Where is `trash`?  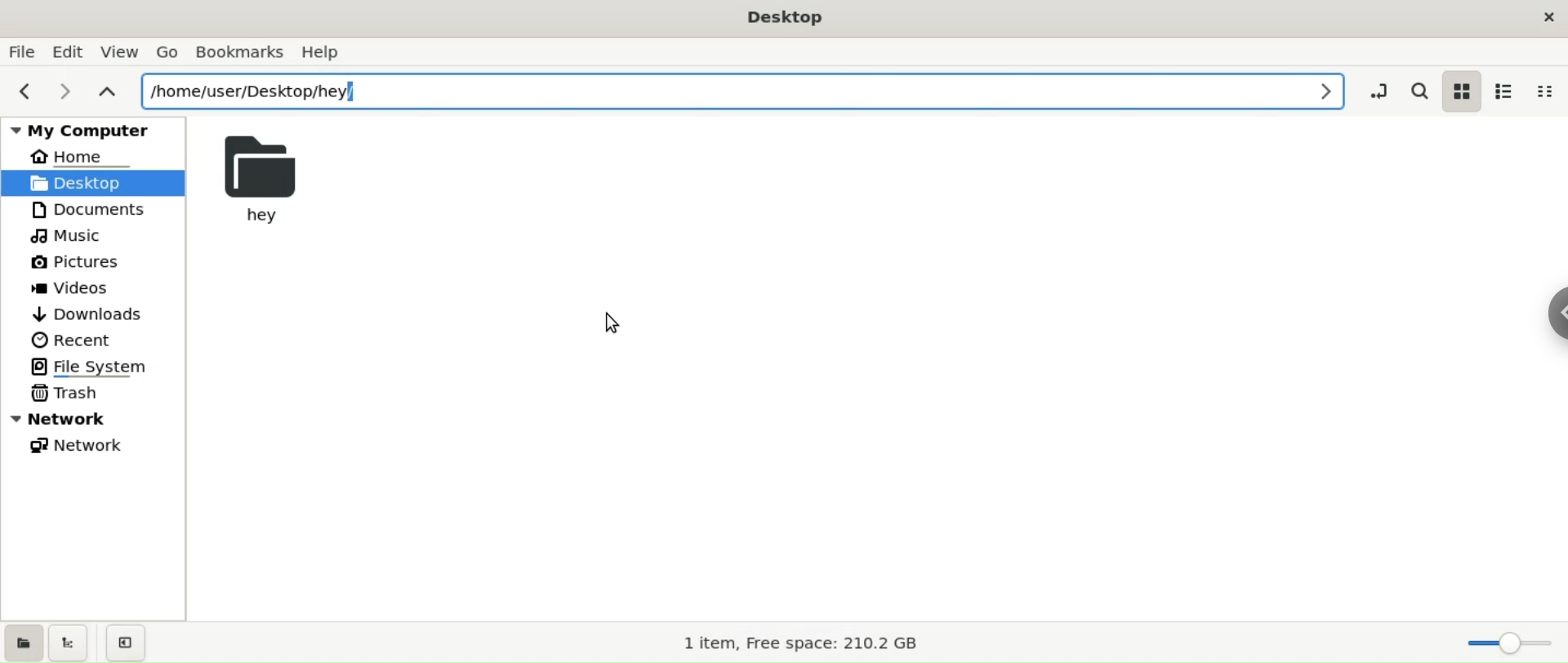
trash is located at coordinates (74, 395).